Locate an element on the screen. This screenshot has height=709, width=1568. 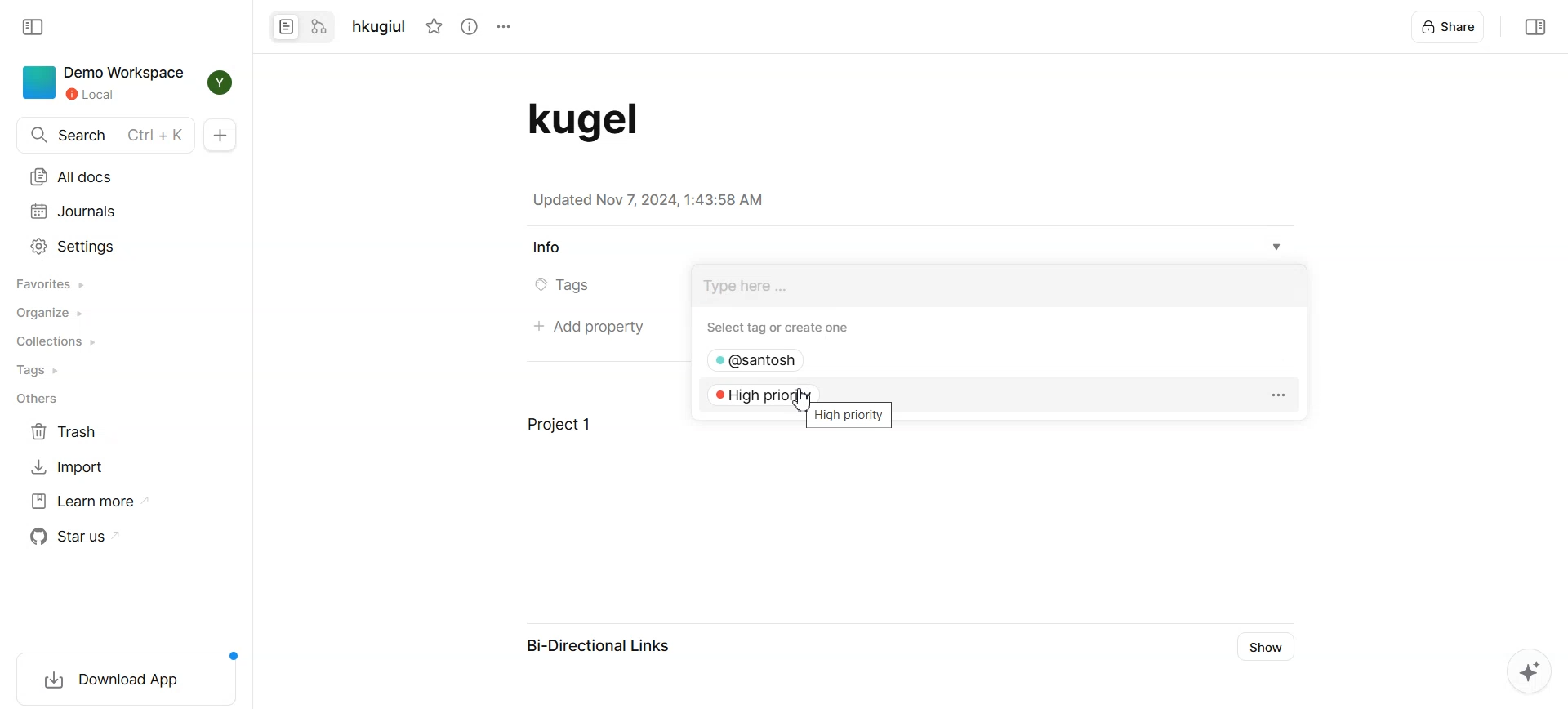
Cursor is located at coordinates (804, 402).